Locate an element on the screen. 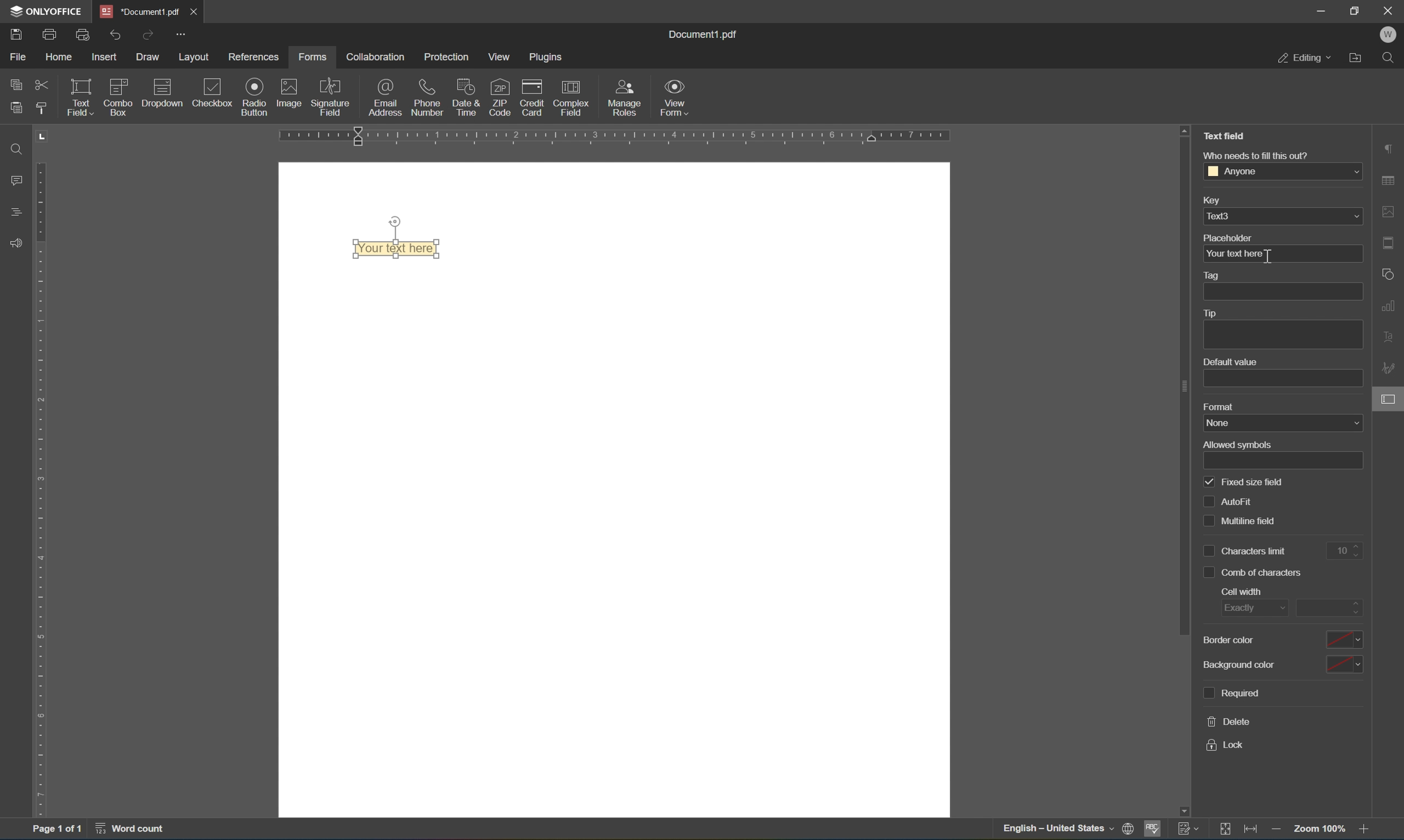 The image size is (1404, 840). open file location is located at coordinates (1358, 58).